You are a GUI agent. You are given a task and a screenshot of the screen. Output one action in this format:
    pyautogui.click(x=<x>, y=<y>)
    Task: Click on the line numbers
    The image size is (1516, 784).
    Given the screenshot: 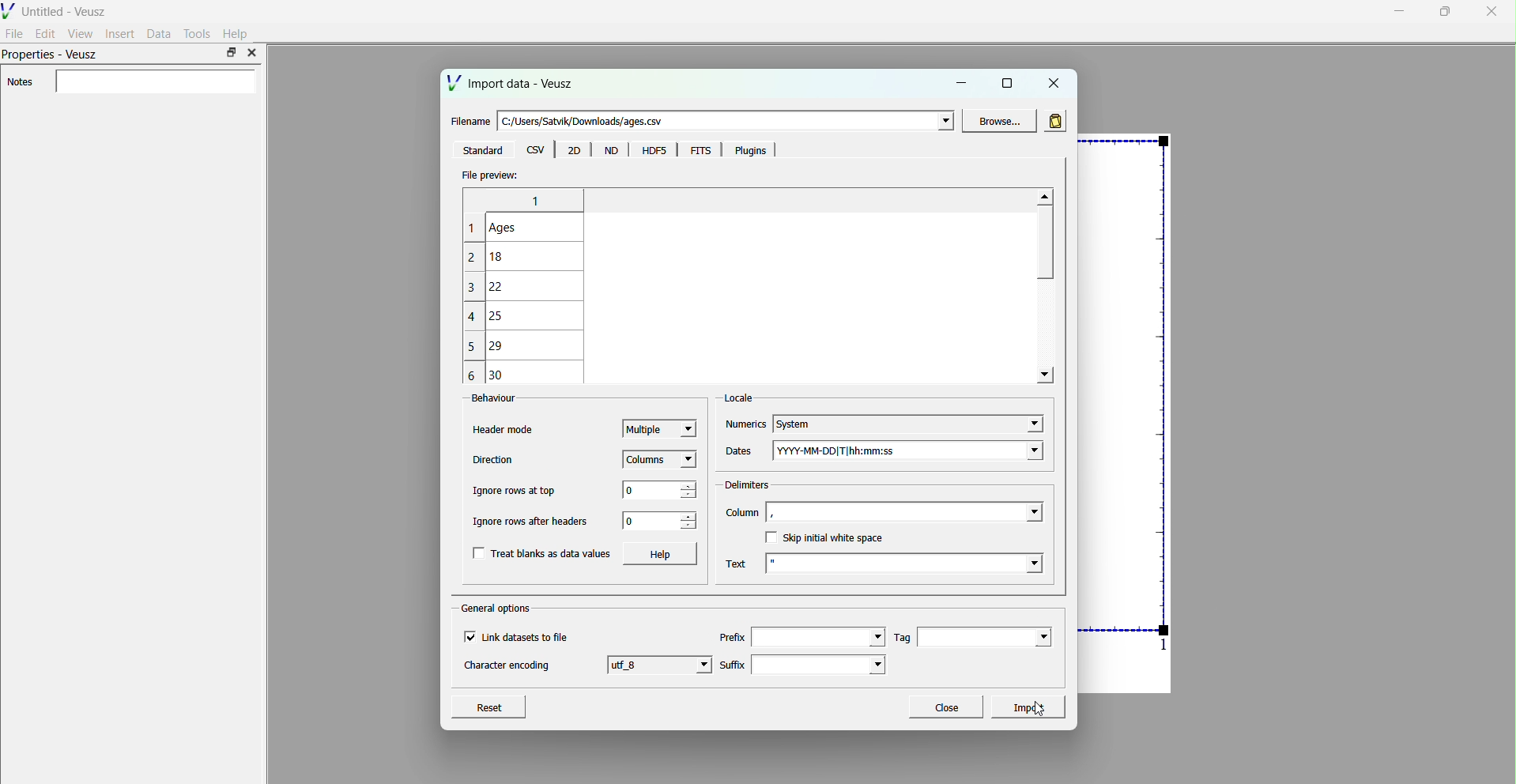 What is the action you would take?
    pyautogui.click(x=534, y=200)
    